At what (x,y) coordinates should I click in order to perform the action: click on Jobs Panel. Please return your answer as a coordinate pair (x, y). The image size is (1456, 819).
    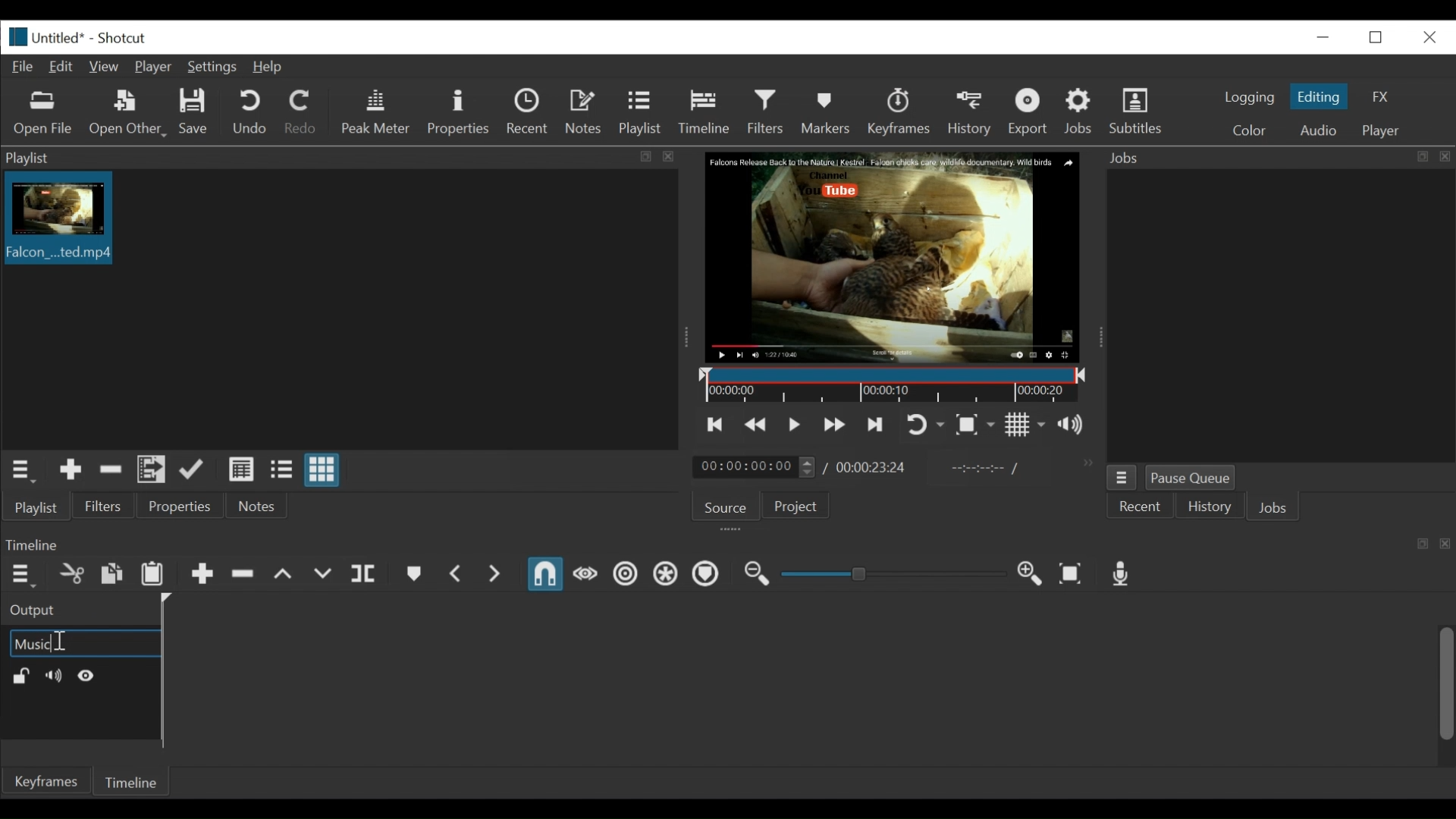
    Looking at the image, I should click on (1275, 158).